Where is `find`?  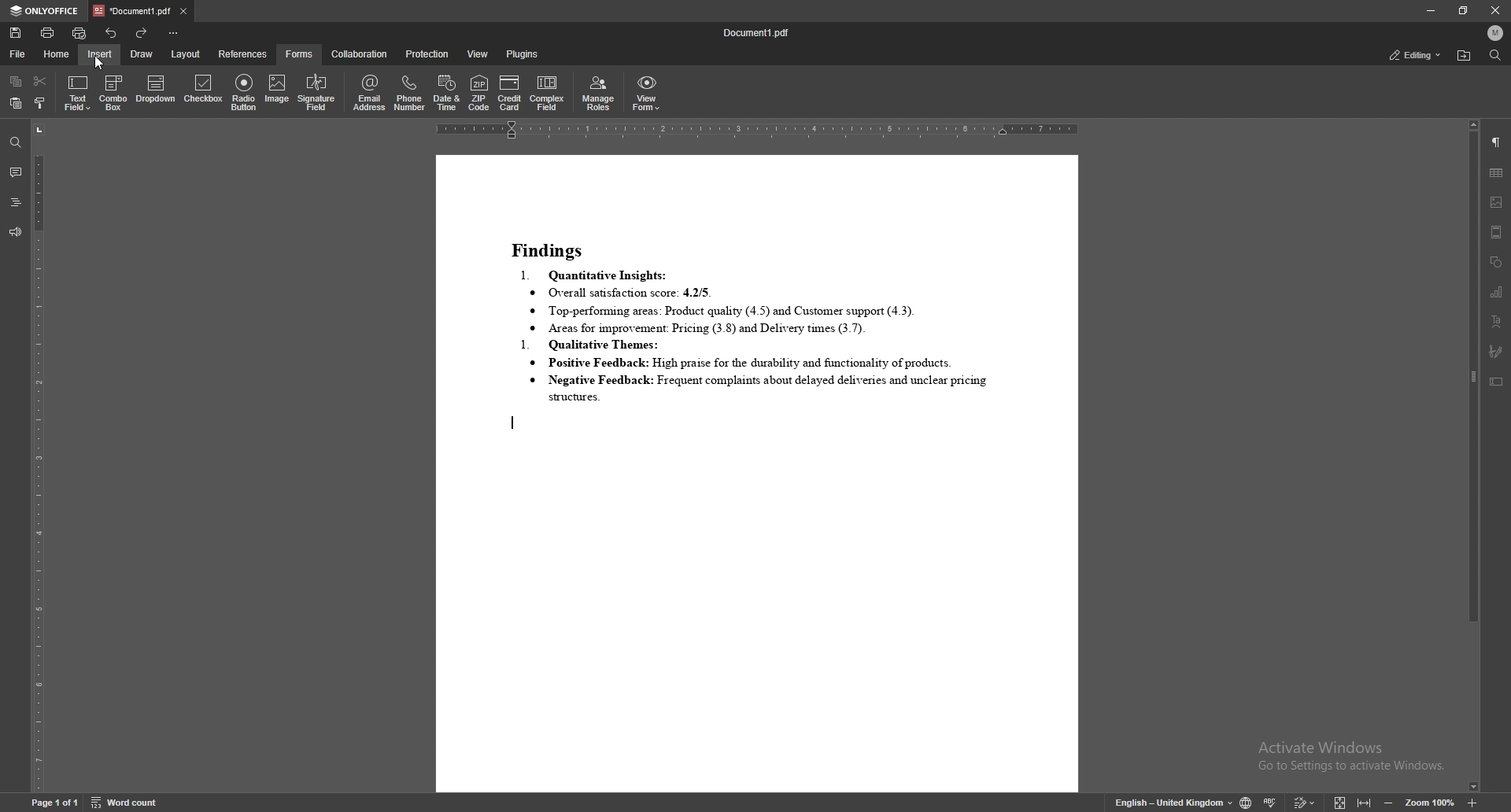
find is located at coordinates (14, 142).